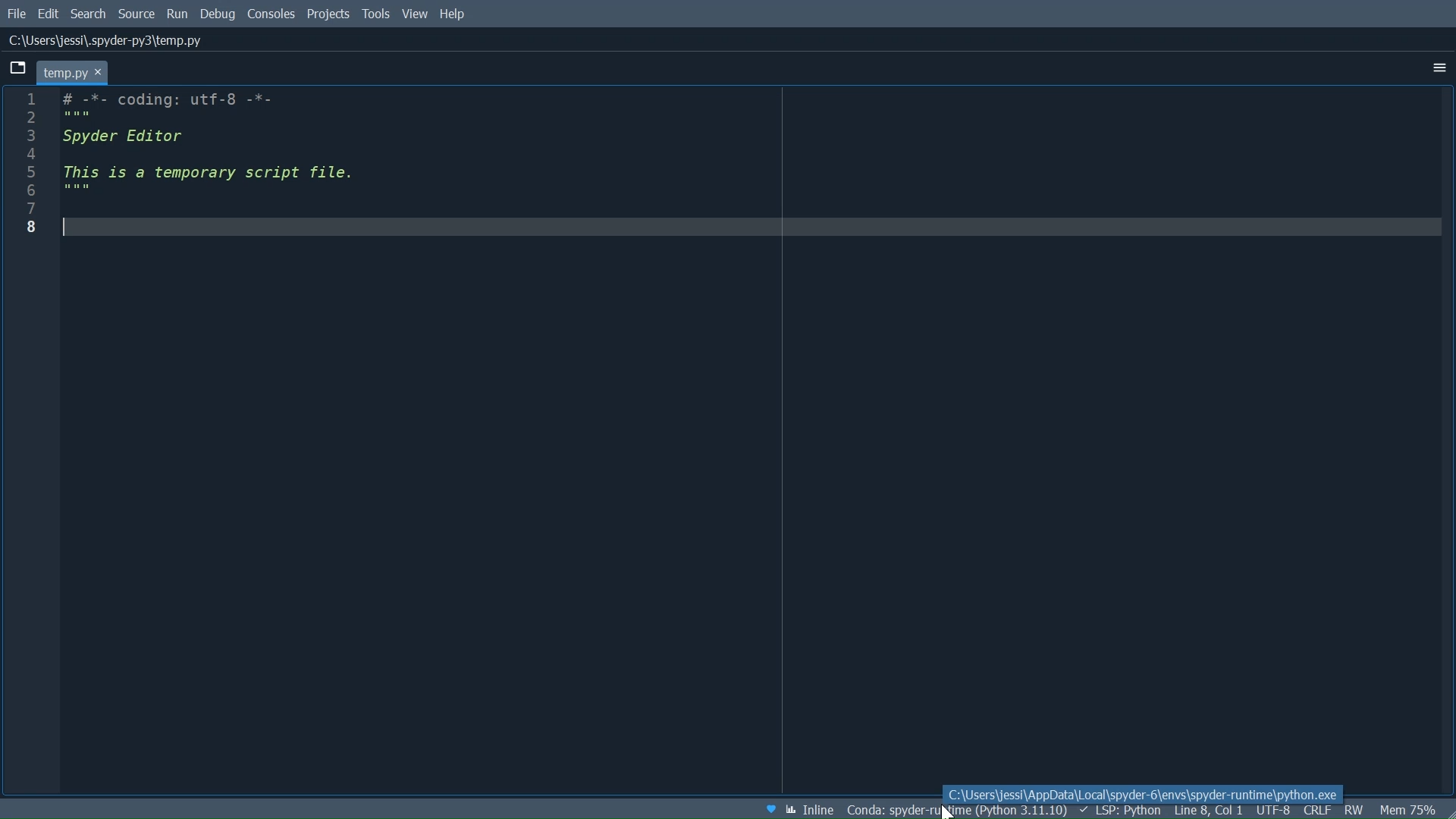 This screenshot has height=819, width=1456. What do you see at coordinates (376, 14) in the screenshot?
I see `Tools` at bounding box center [376, 14].